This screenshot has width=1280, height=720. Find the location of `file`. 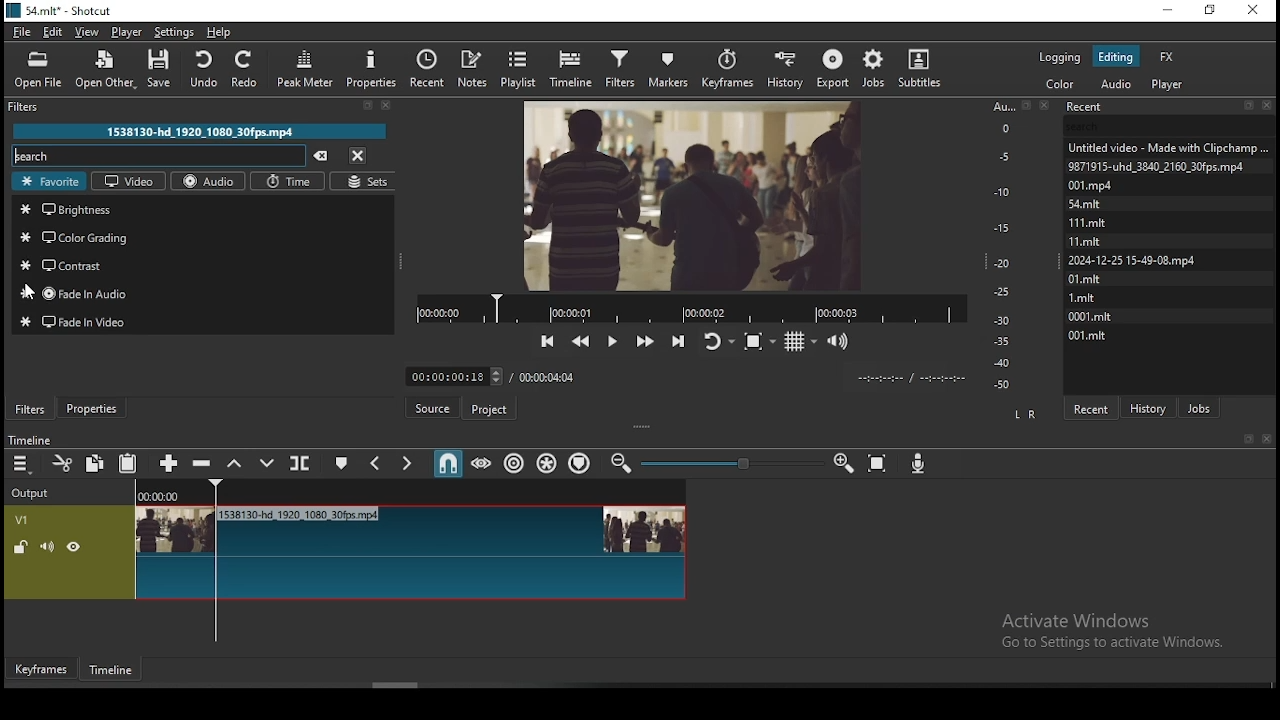

file is located at coordinates (21, 34).